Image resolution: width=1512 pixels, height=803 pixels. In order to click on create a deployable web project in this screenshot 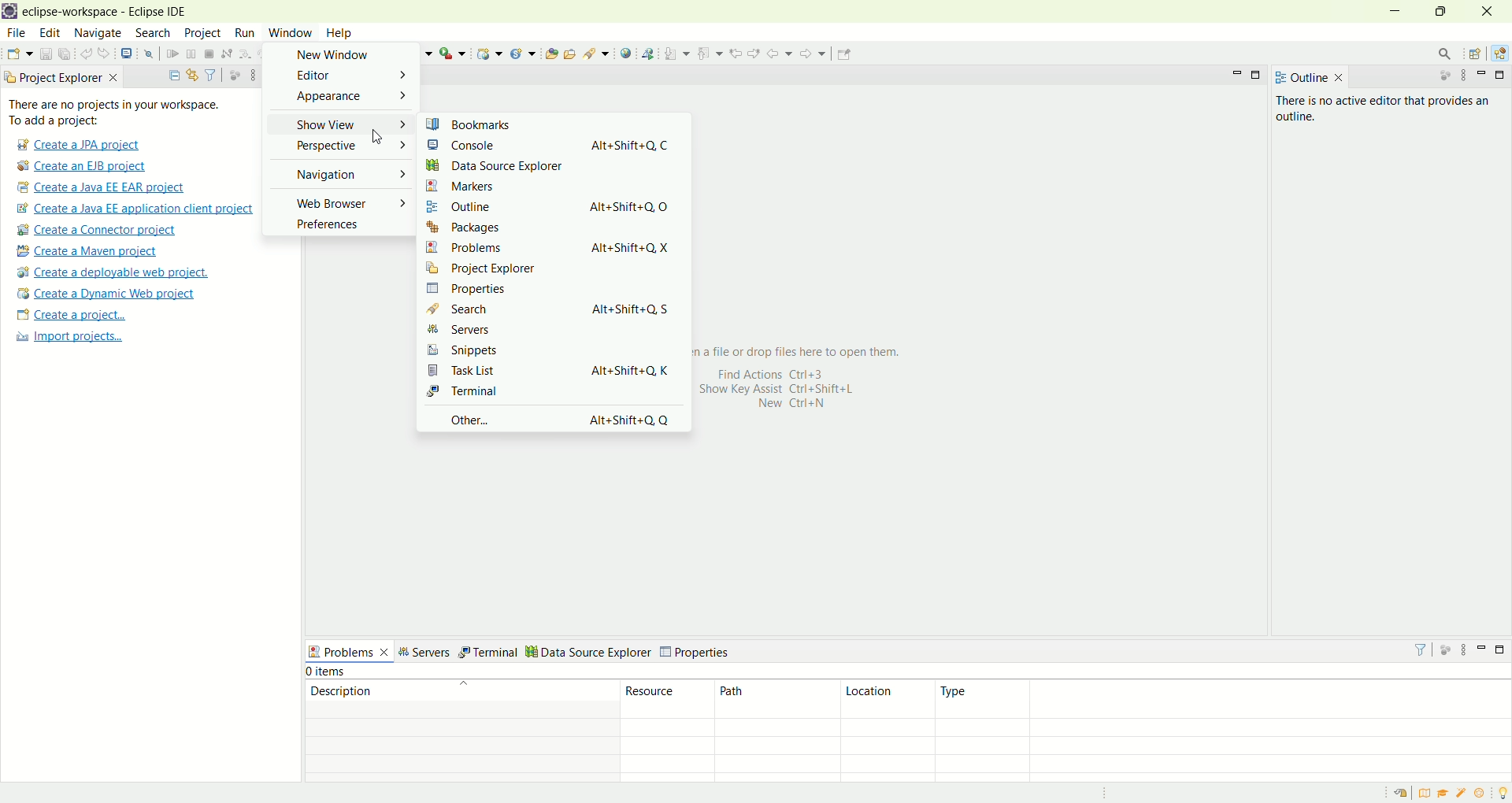, I will do `click(113, 271)`.